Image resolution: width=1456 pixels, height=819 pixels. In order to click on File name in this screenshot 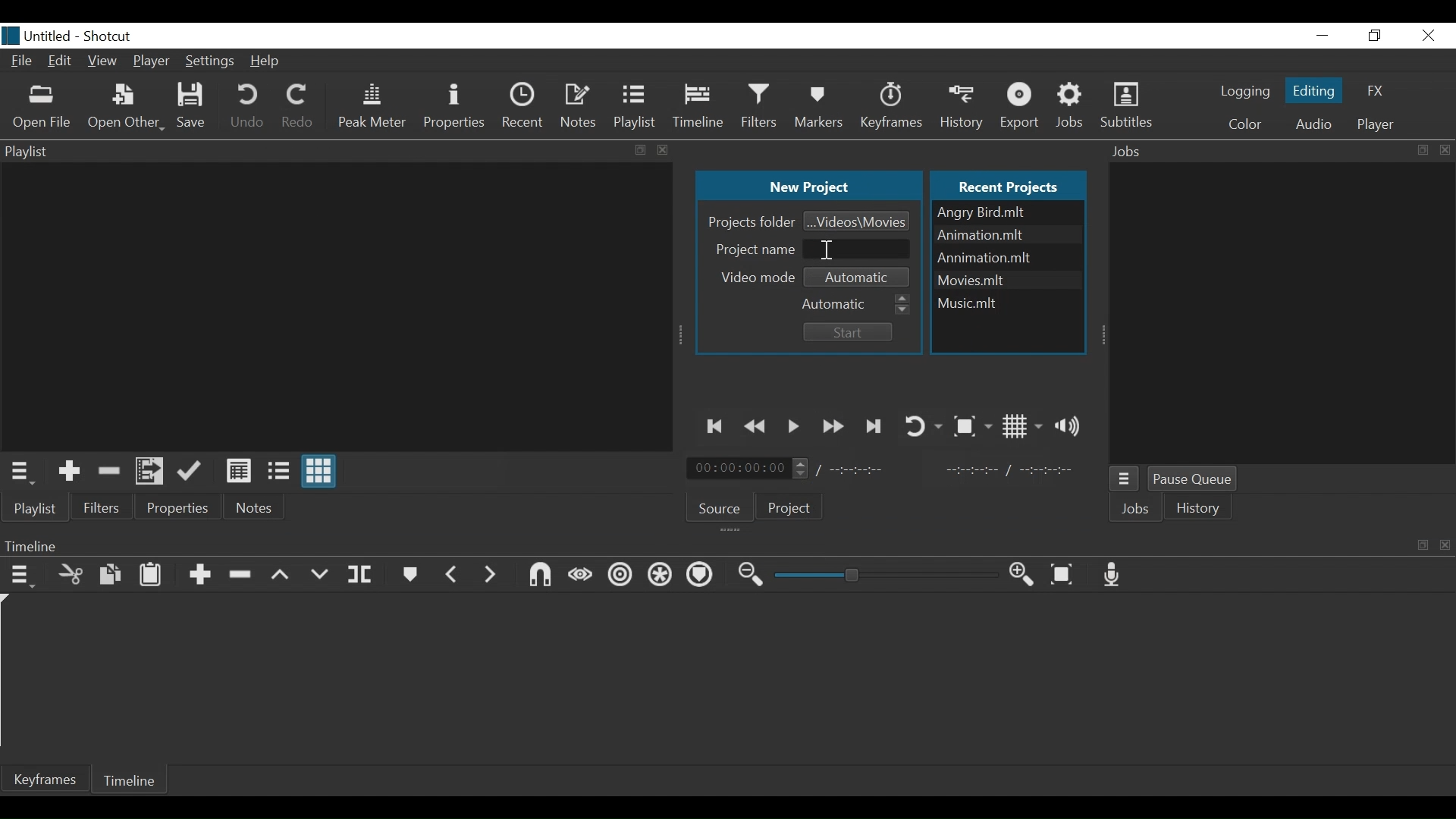, I will do `click(1008, 278)`.